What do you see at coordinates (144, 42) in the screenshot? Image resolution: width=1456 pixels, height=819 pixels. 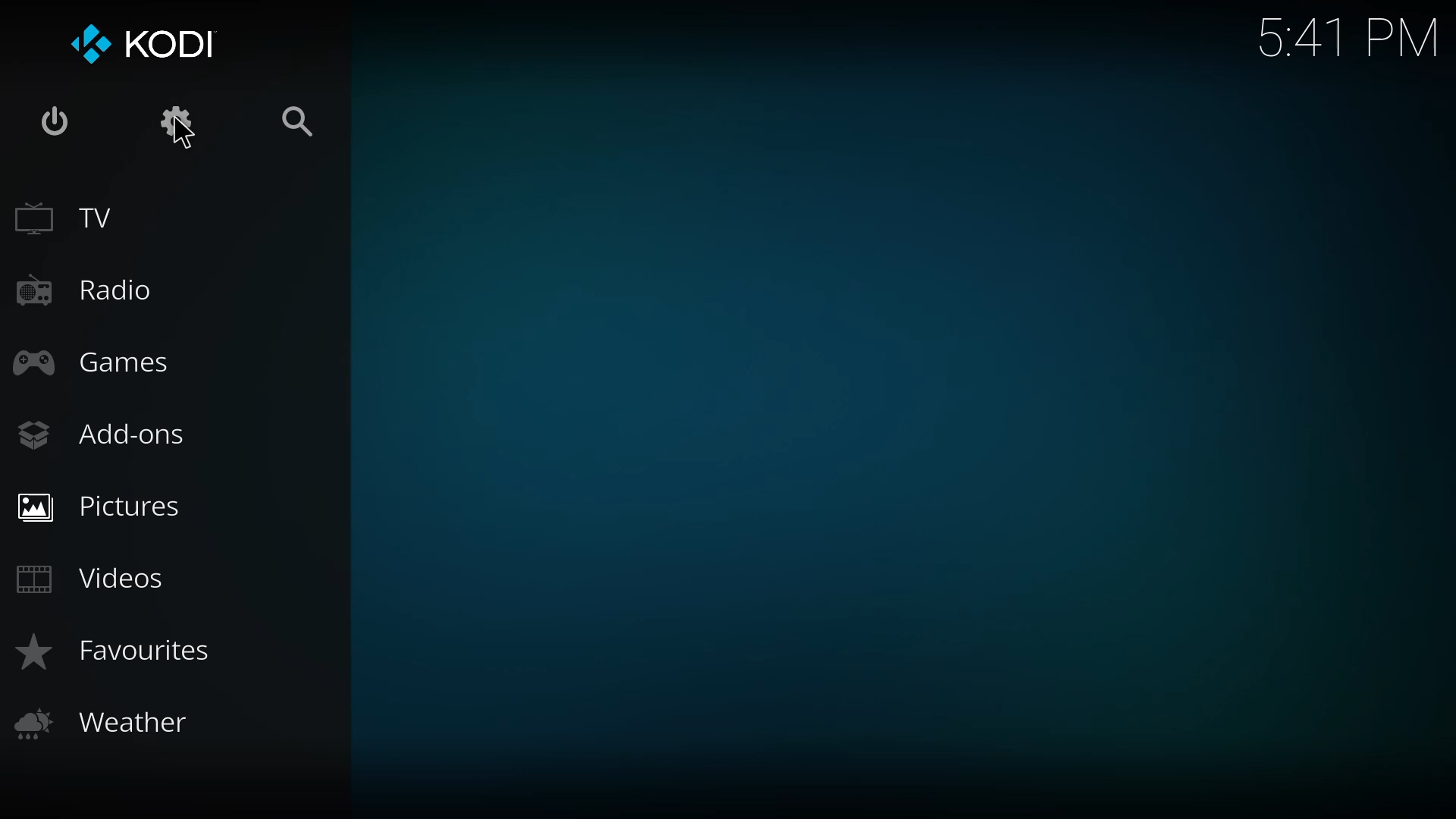 I see `kodi` at bounding box center [144, 42].